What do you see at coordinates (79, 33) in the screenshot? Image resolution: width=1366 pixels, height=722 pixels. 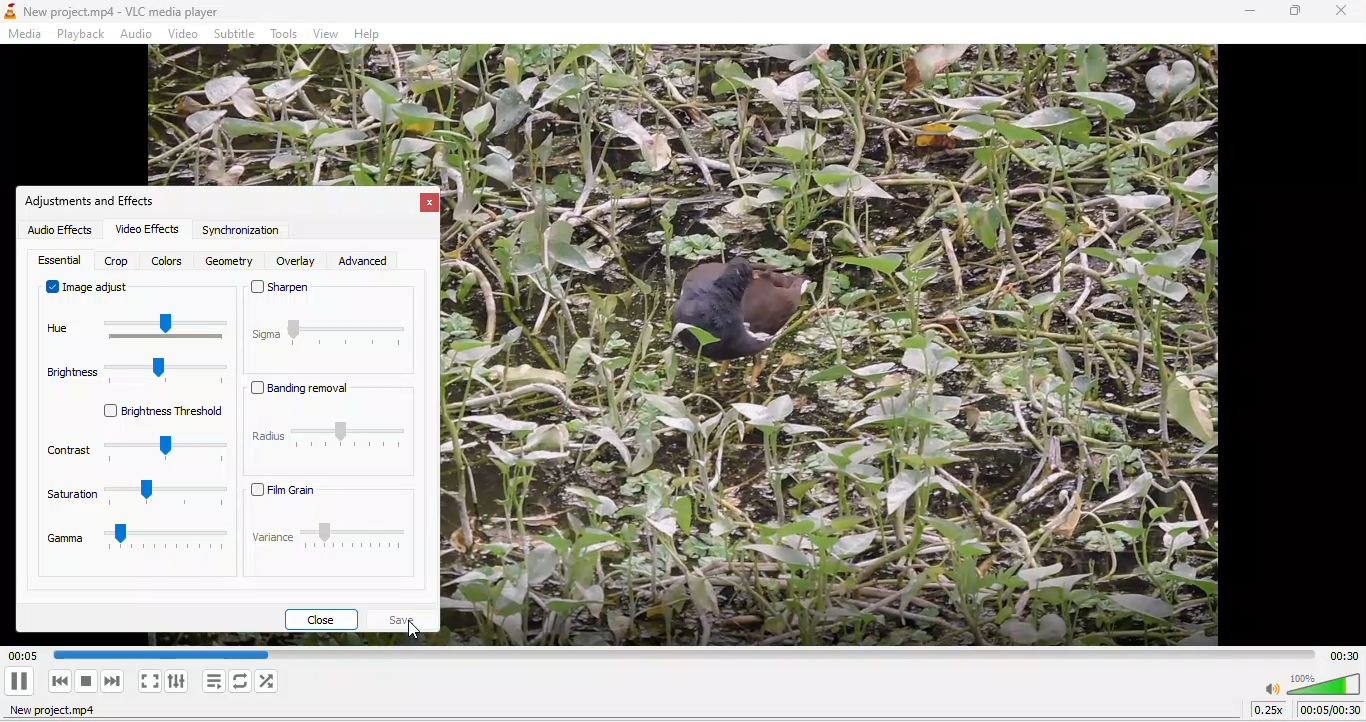 I see `playback` at bounding box center [79, 33].